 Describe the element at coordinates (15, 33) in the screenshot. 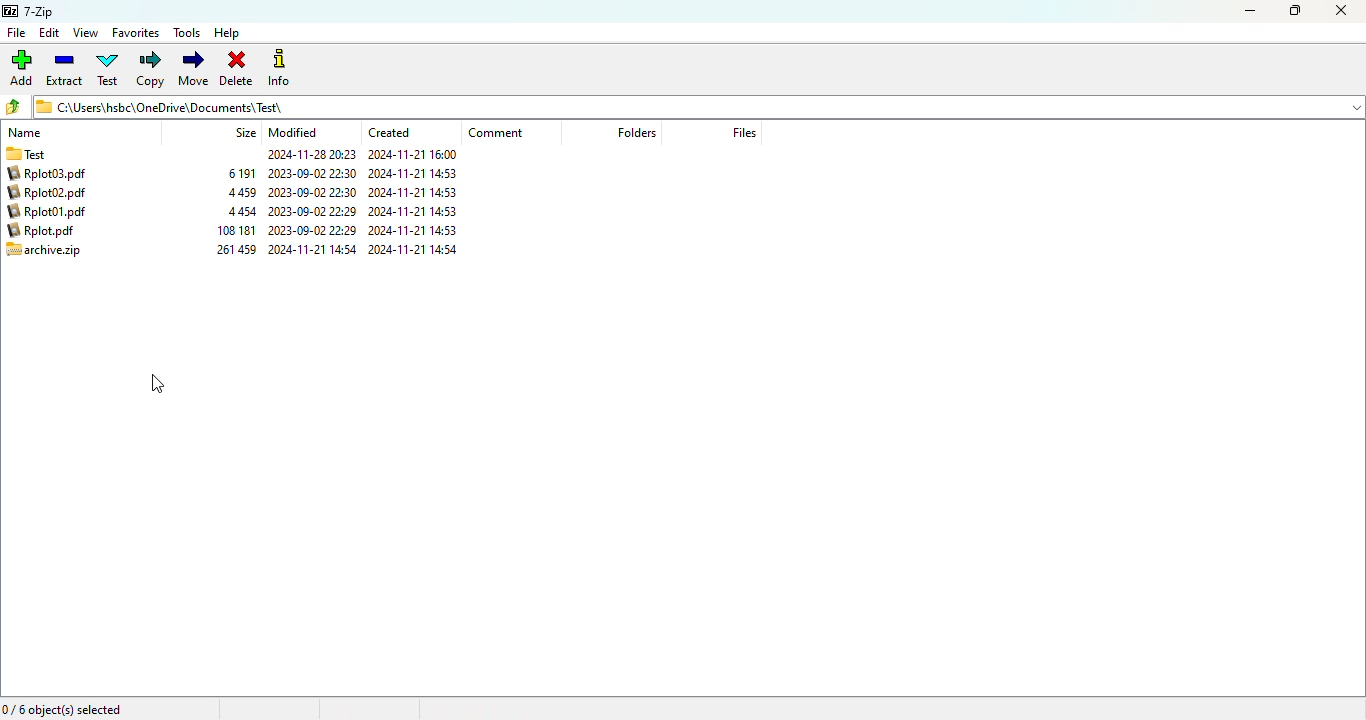

I see `file` at that location.